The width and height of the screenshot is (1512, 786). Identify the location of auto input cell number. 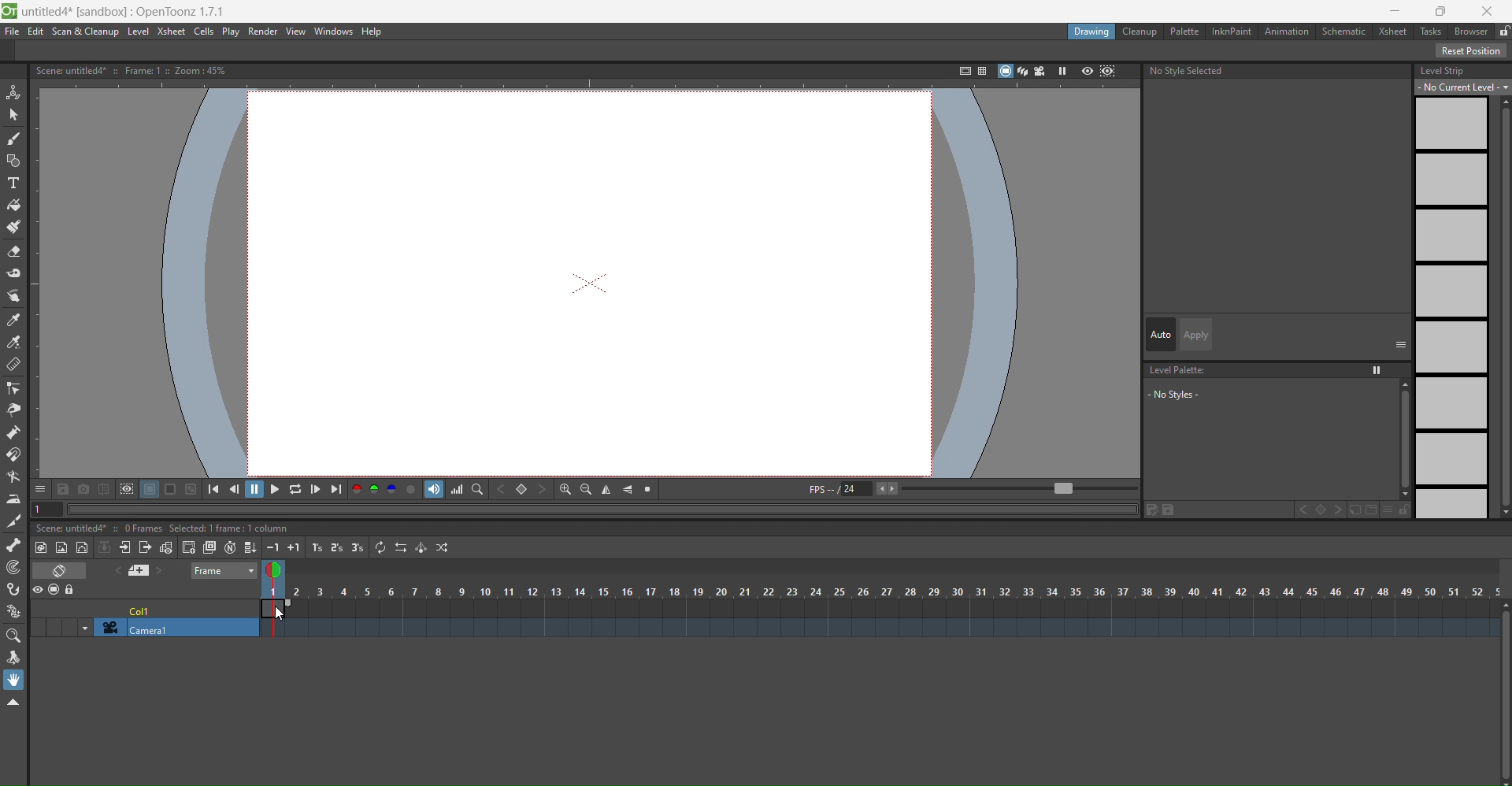
(230, 547).